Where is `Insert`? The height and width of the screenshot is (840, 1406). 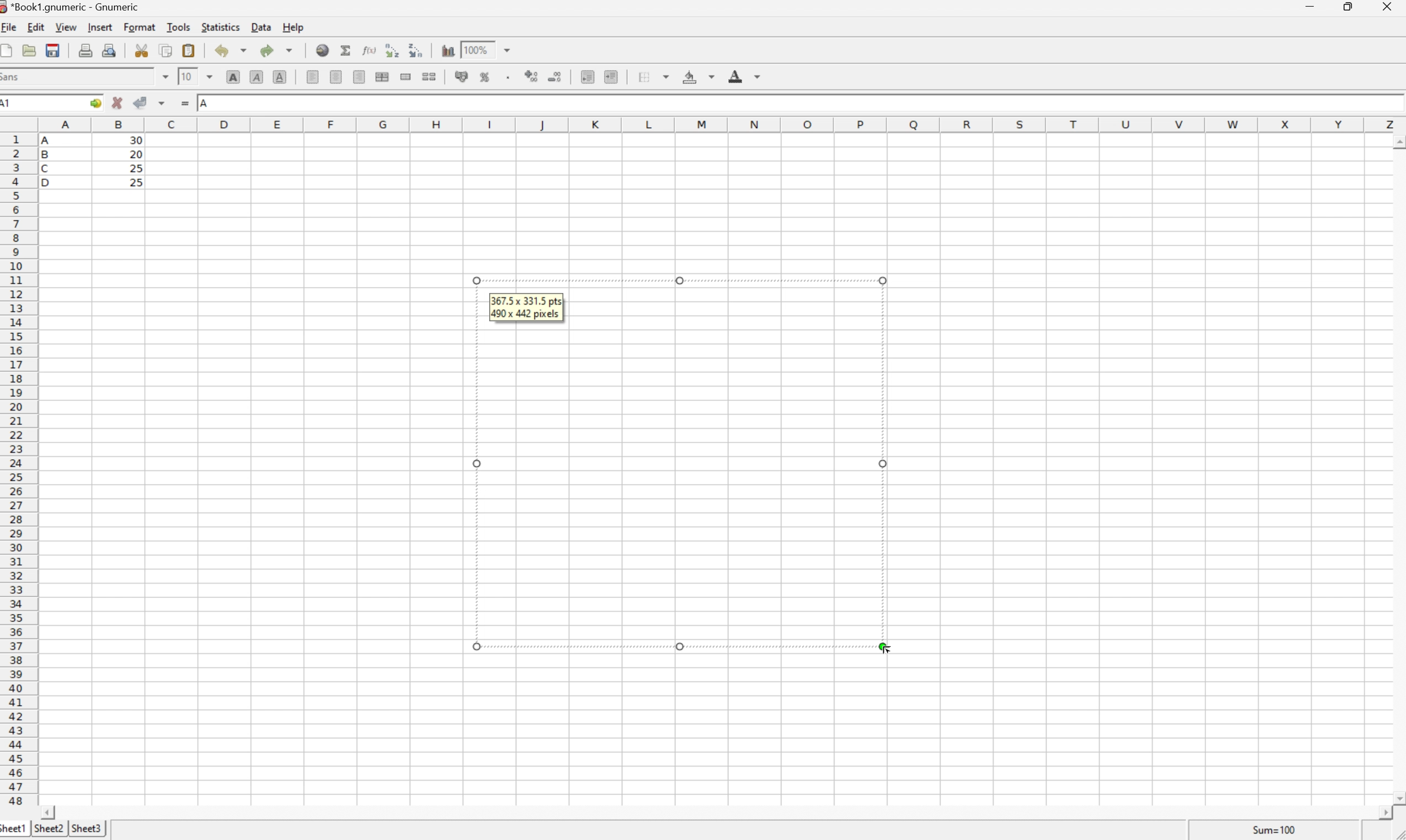
Insert is located at coordinates (102, 28).